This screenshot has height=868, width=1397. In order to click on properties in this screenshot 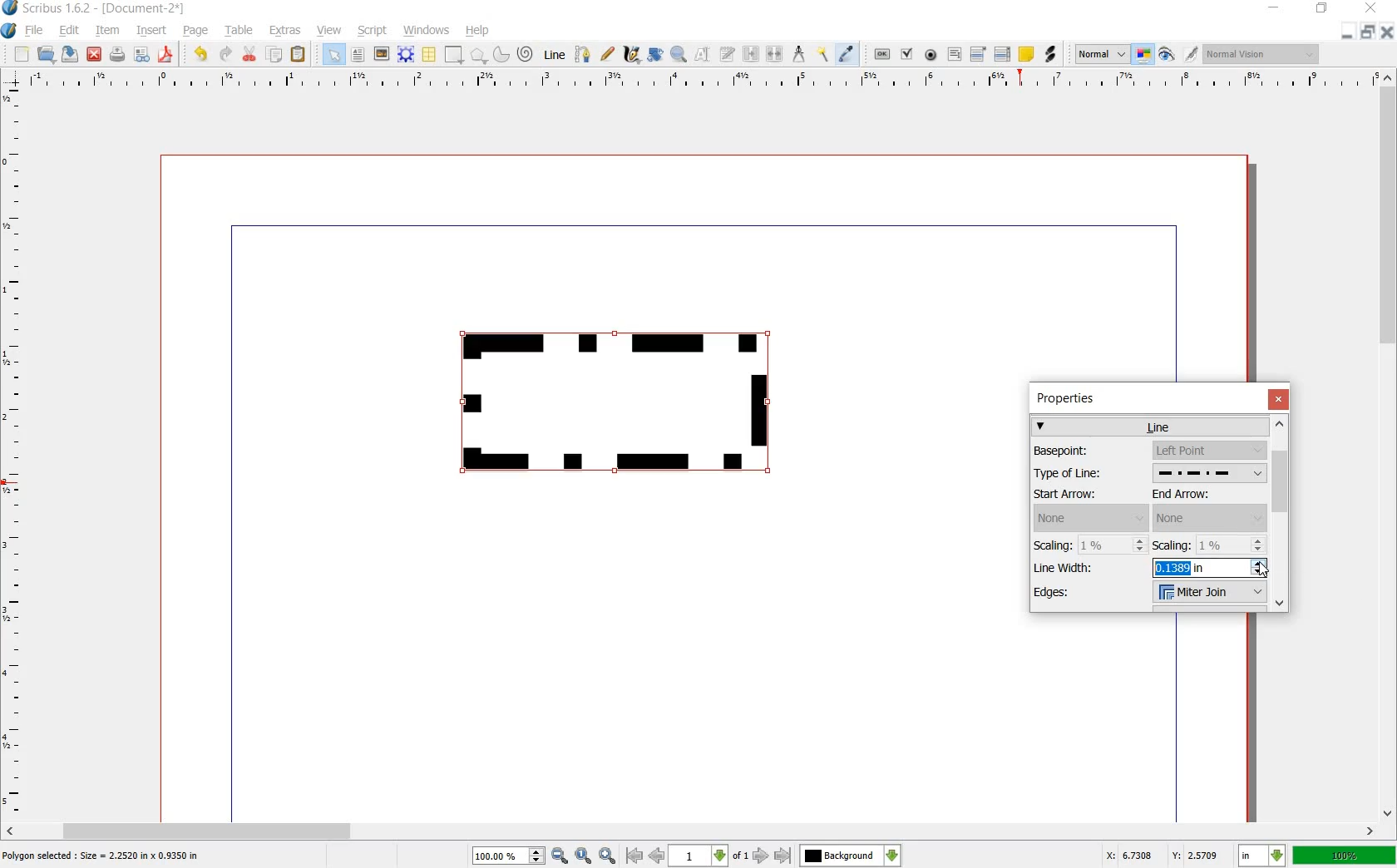, I will do `click(1073, 398)`.